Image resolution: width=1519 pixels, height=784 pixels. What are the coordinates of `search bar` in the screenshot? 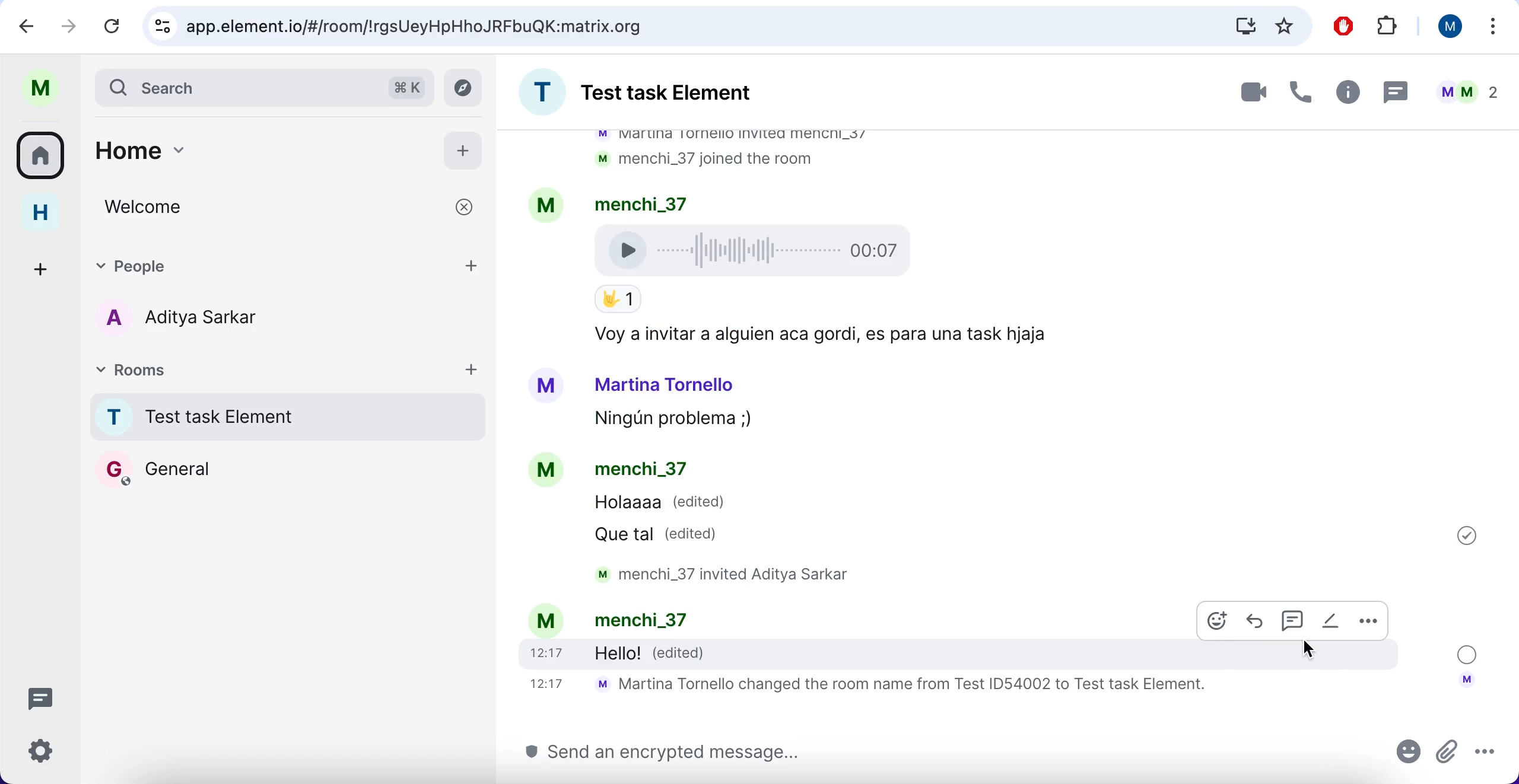 It's located at (673, 27).